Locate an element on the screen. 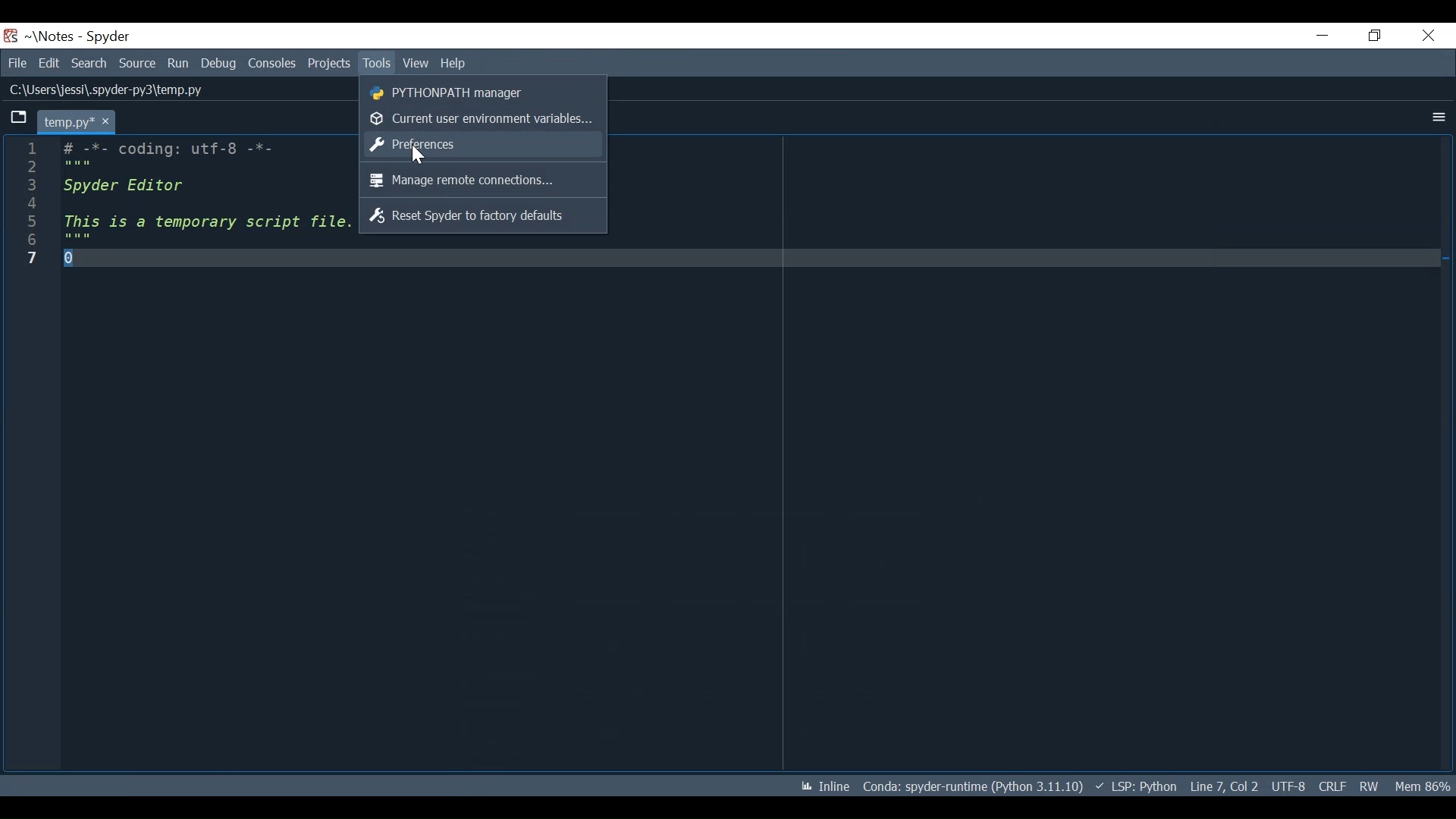 This screenshot has width=1456, height=819. File Permission is located at coordinates (1374, 786).